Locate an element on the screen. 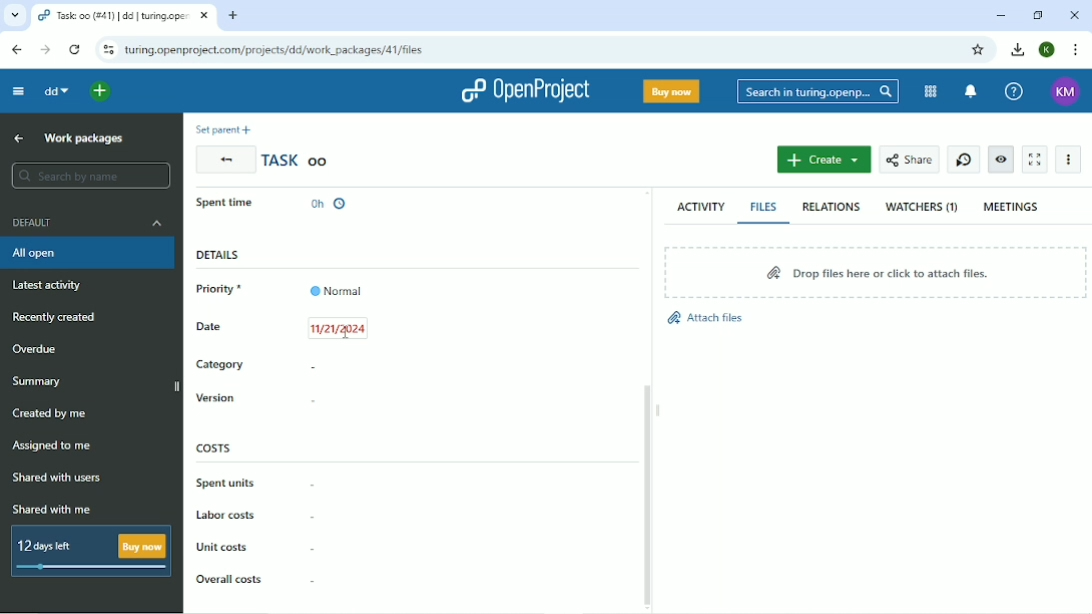 The image size is (1092, 614). dd is located at coordinates (56, 91).